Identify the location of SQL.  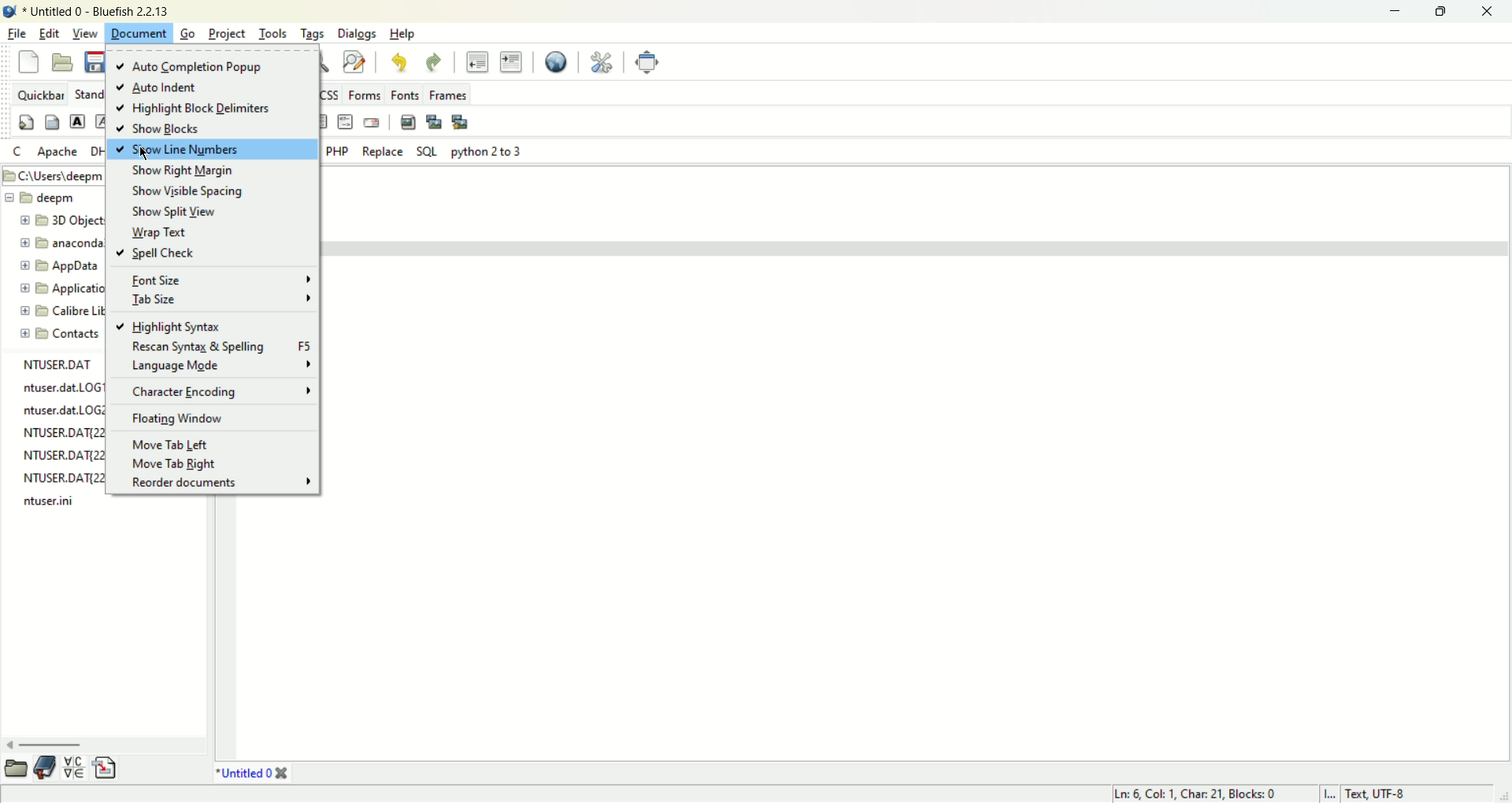
(427, 151).